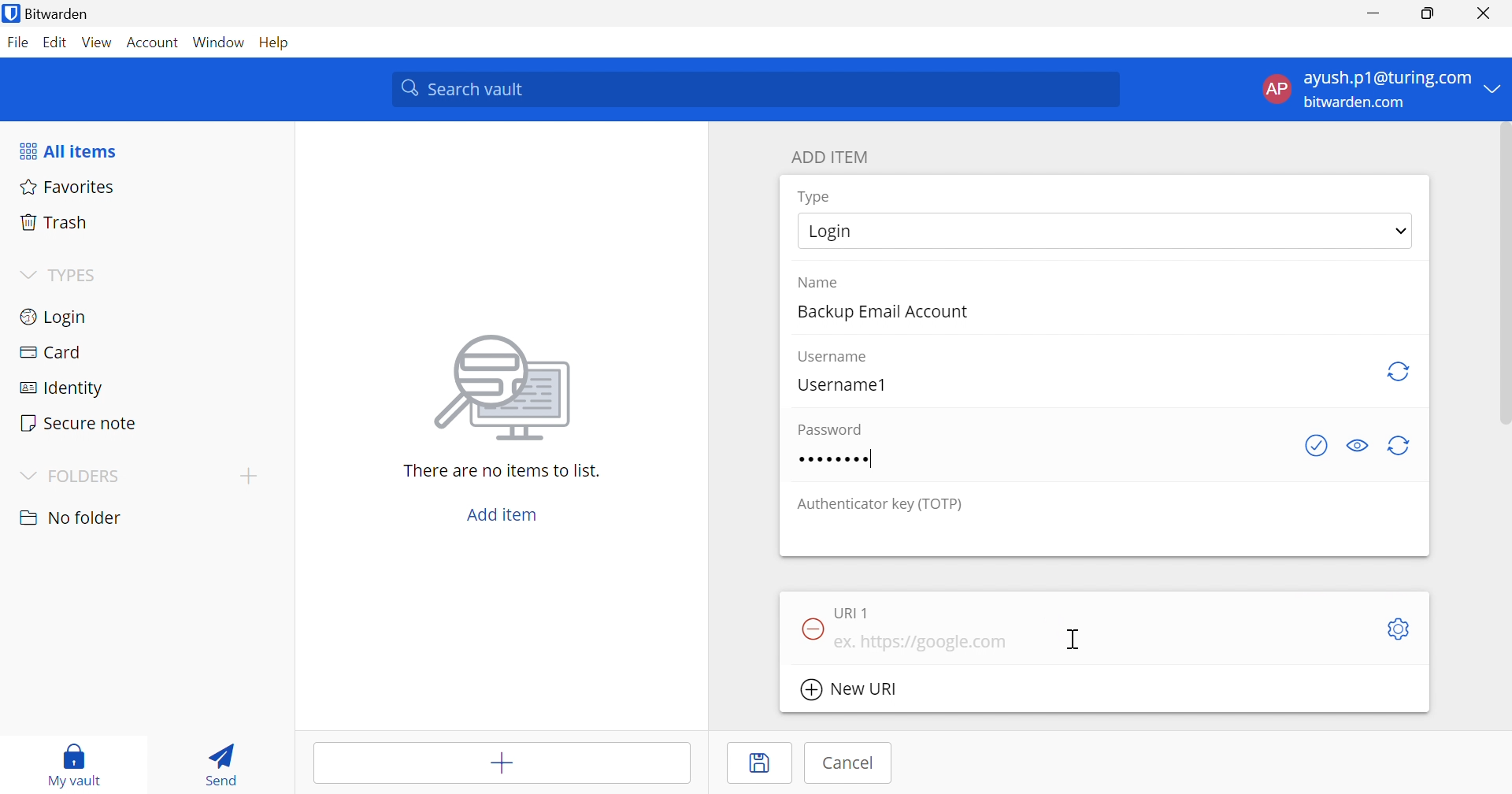  Describe the element at coordinates (1373, 13) in the screenshot. I see `Minimize` at that location.